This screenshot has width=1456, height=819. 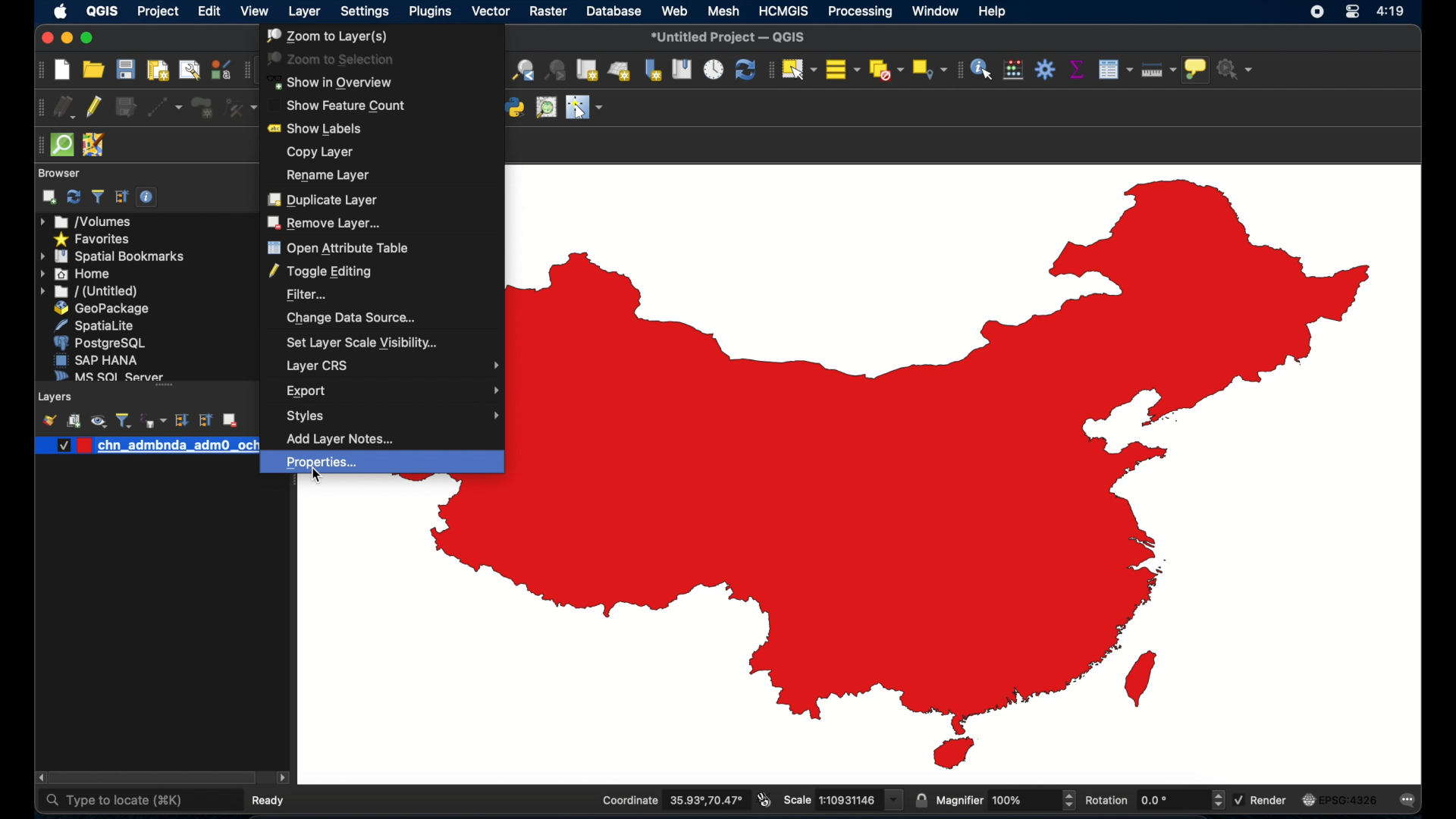 I want to click on browser, so click(x=59, y=173).